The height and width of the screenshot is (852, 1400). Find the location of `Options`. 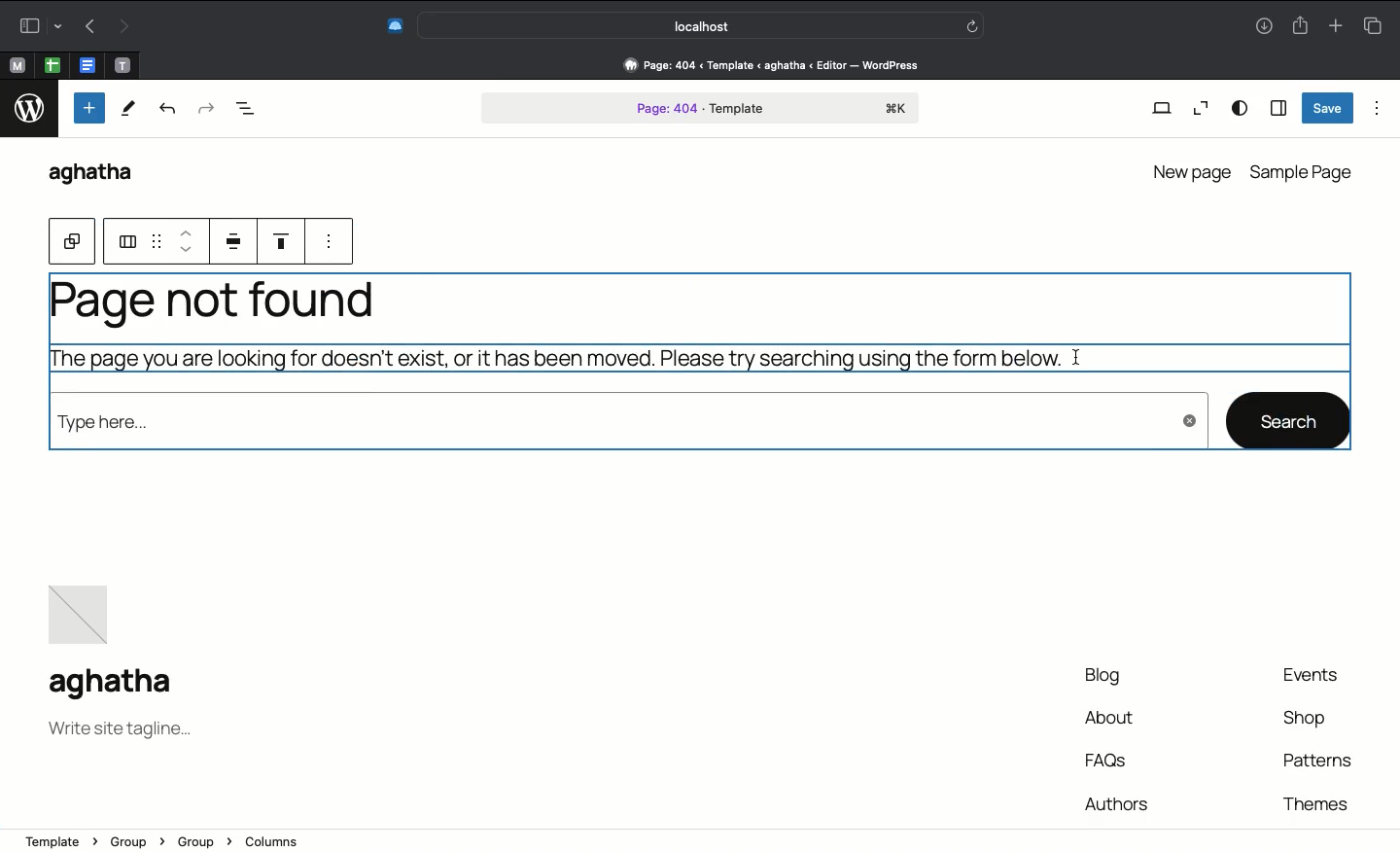

Options is located at coordinates (1378, 108).